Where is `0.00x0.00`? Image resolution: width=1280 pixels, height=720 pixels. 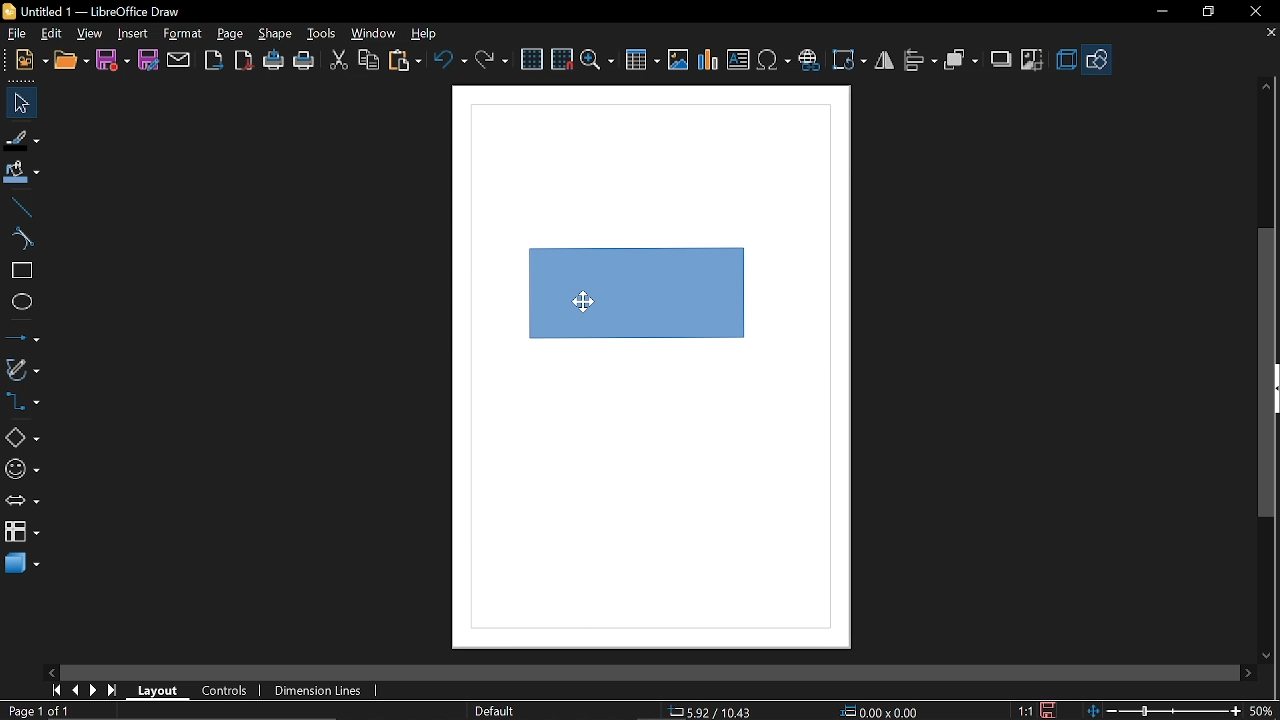
0.00x0.00 is located at coordinates (876, 712).